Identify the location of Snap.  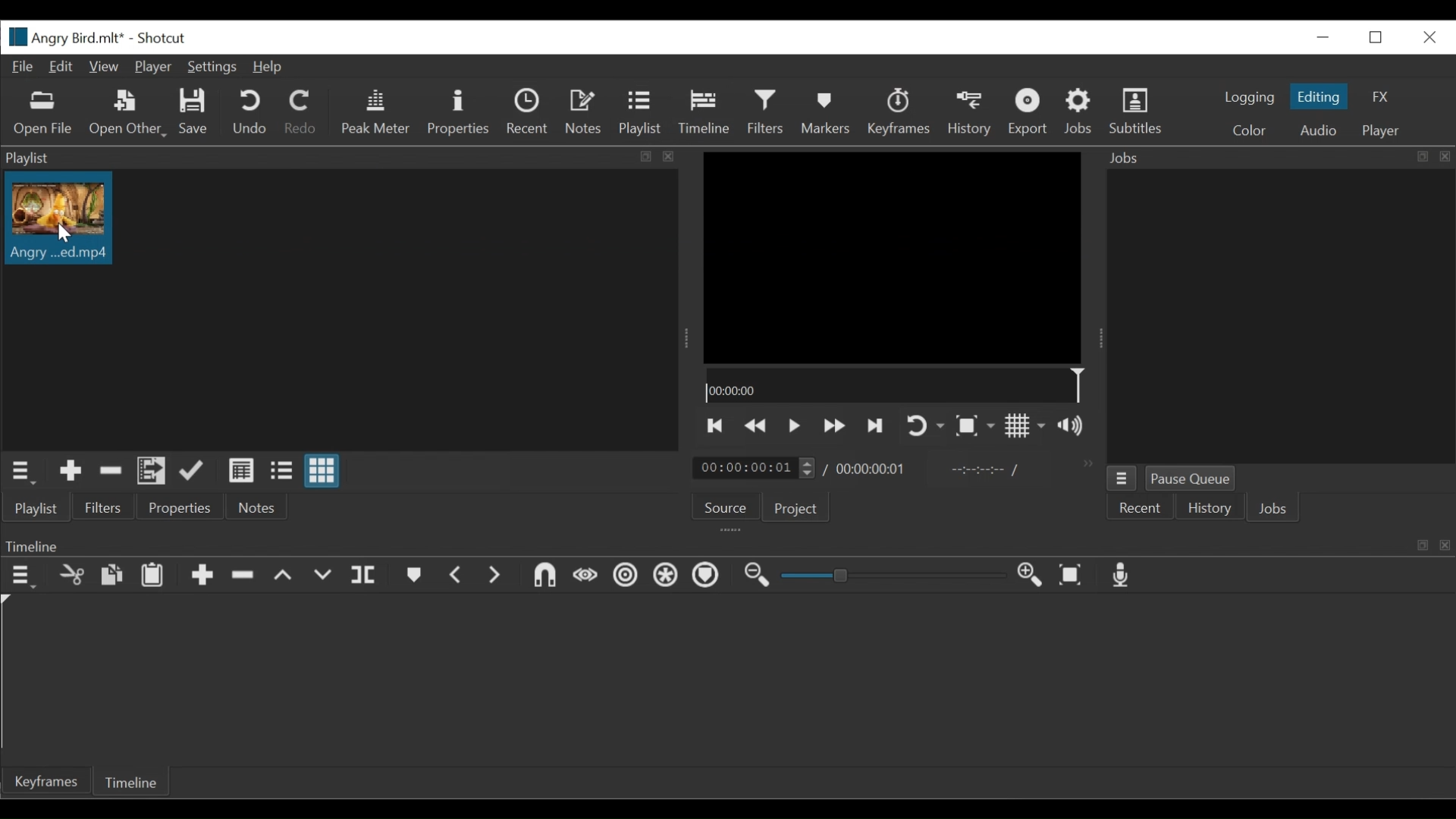
(541, 576).